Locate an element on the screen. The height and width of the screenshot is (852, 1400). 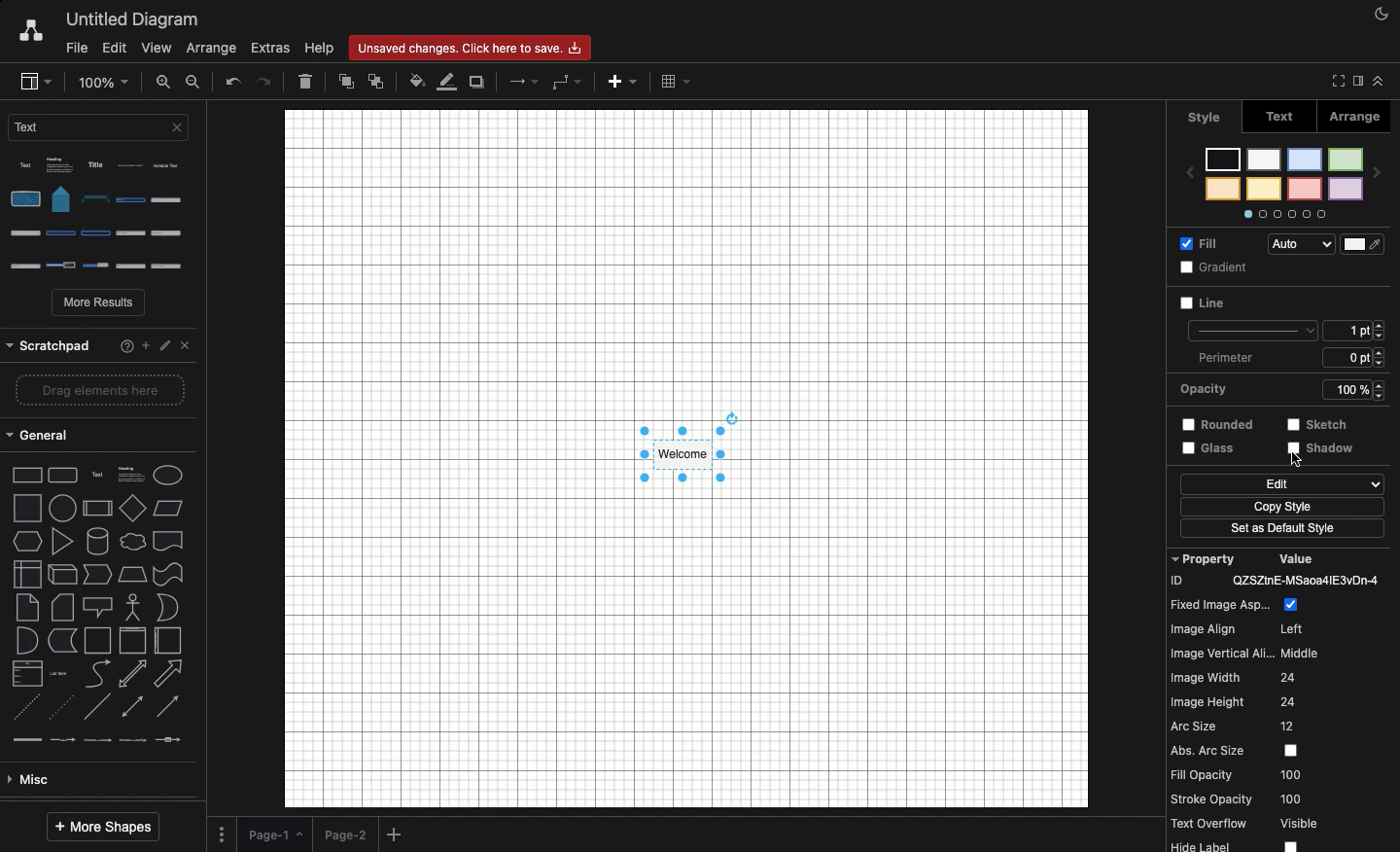
Property value is located at coordinates (1283, 697).